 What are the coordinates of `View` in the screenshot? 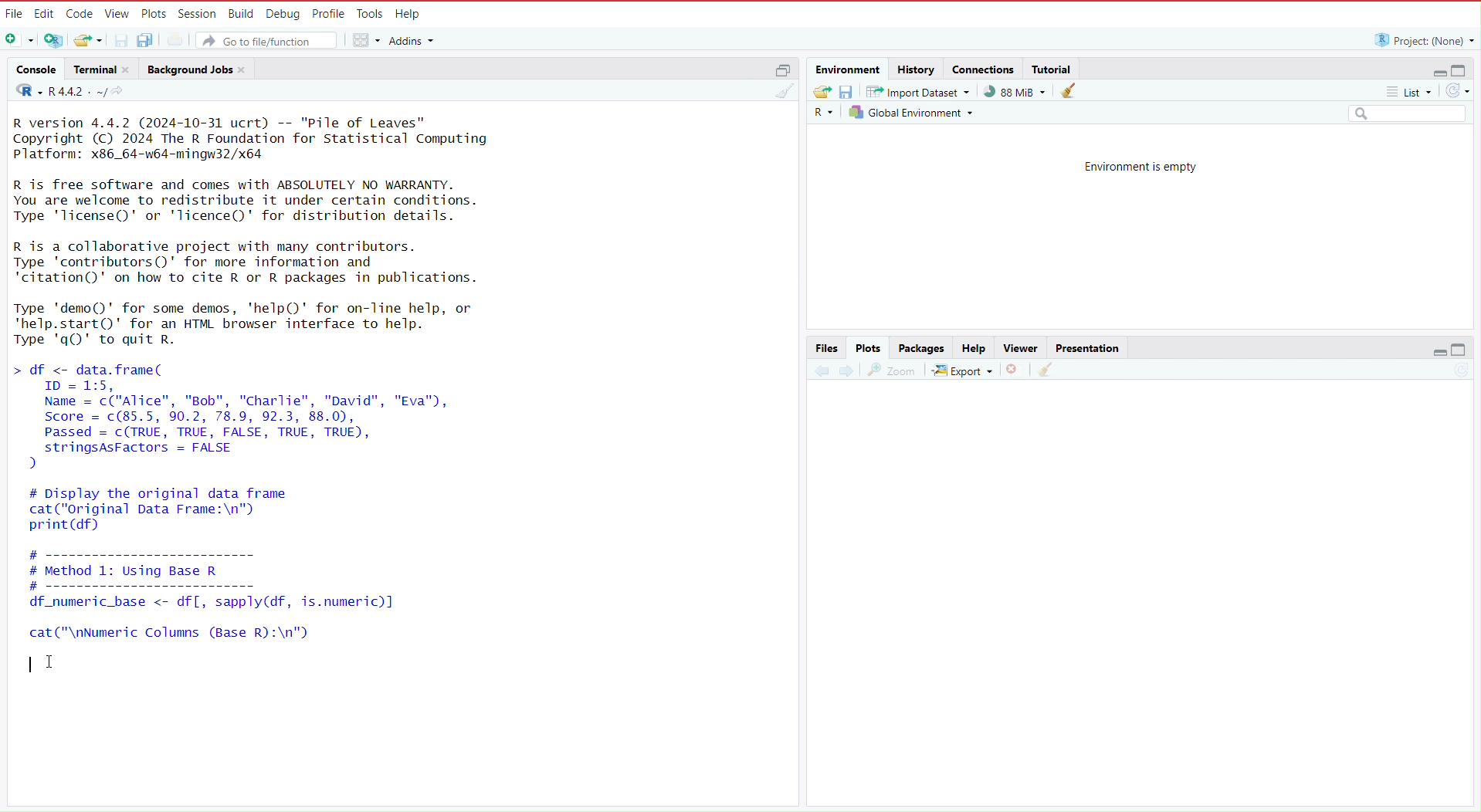 It's located at (118, 13).